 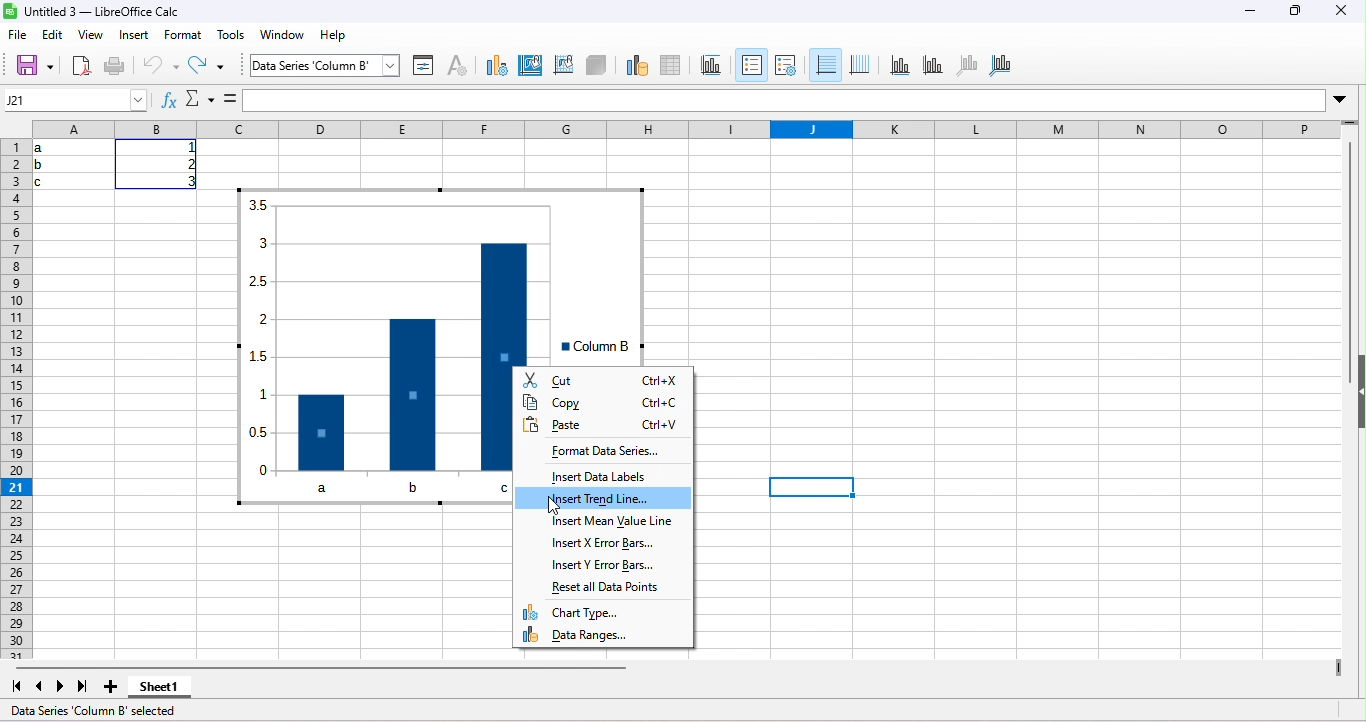 What do you see at coordinates (786, 64) in the screenshot?
I see `legends` at bounding box center [786, 64].